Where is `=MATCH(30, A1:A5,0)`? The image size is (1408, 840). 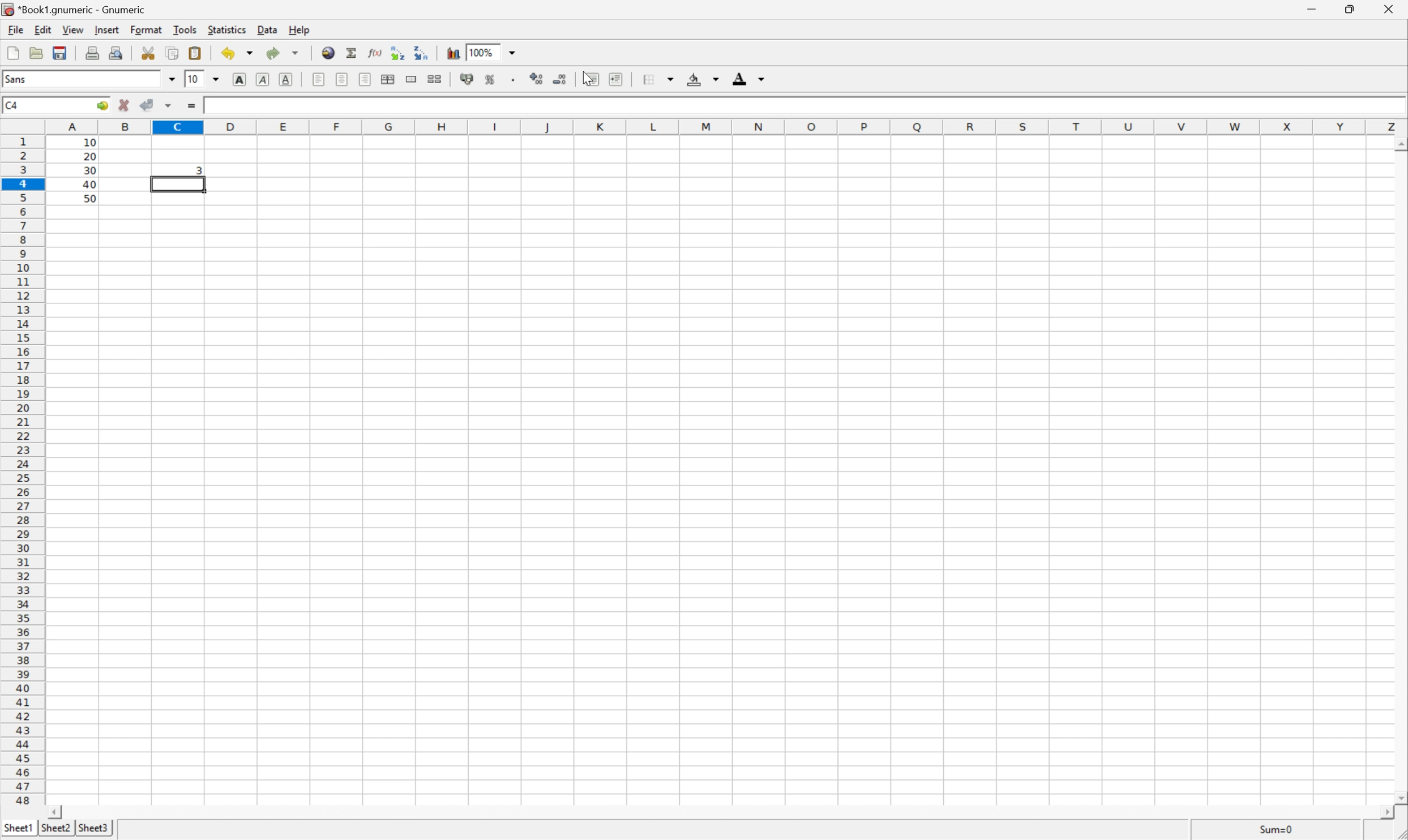 =MATCH(30, A1:A5,0) is located at coordinates (254, 106).